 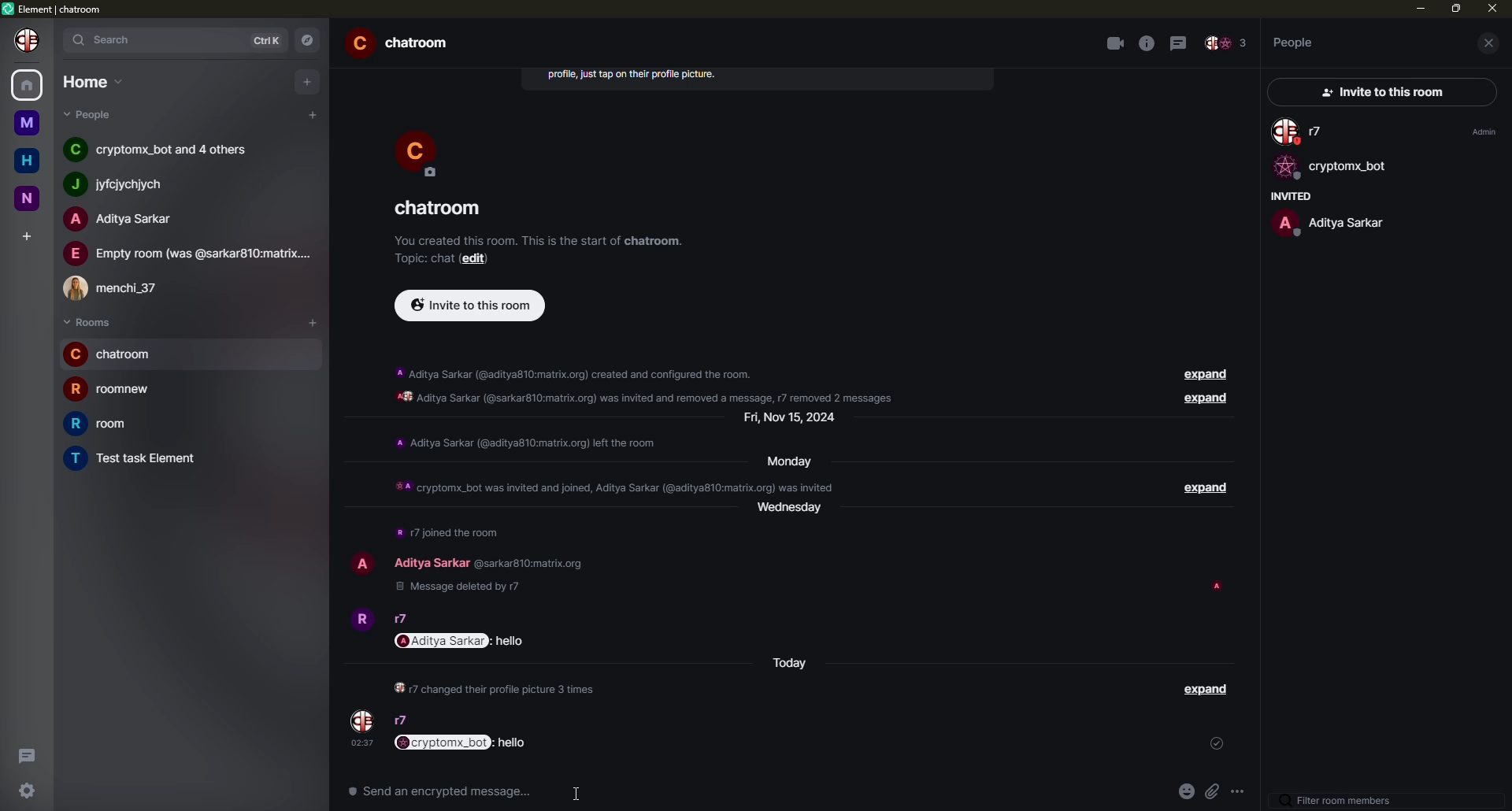 I want to click on info, so click(x=654, y=384).